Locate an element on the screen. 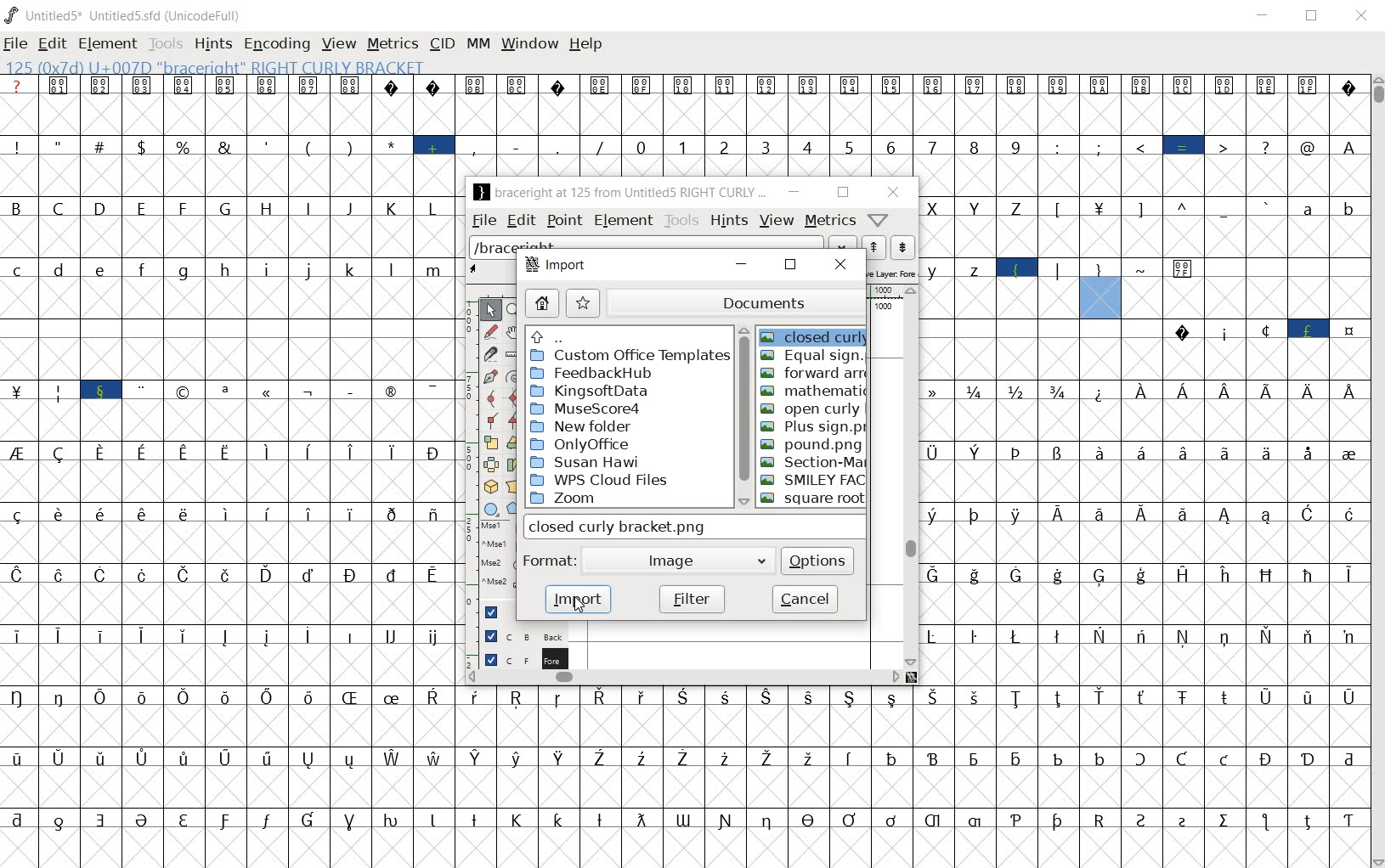  glyph characters is located at coordinates (910, 777).